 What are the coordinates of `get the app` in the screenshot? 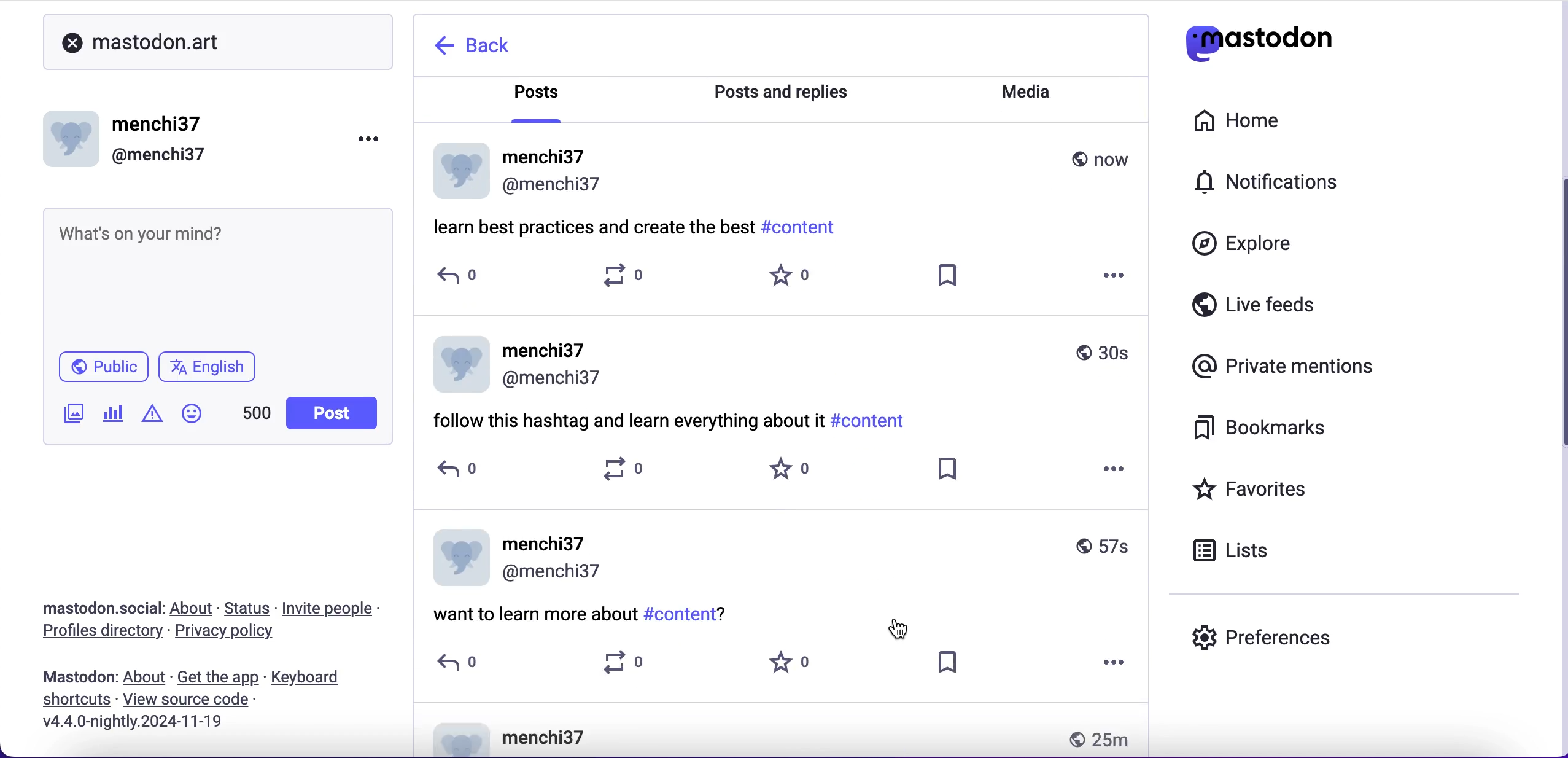 It's located at (219, 678).